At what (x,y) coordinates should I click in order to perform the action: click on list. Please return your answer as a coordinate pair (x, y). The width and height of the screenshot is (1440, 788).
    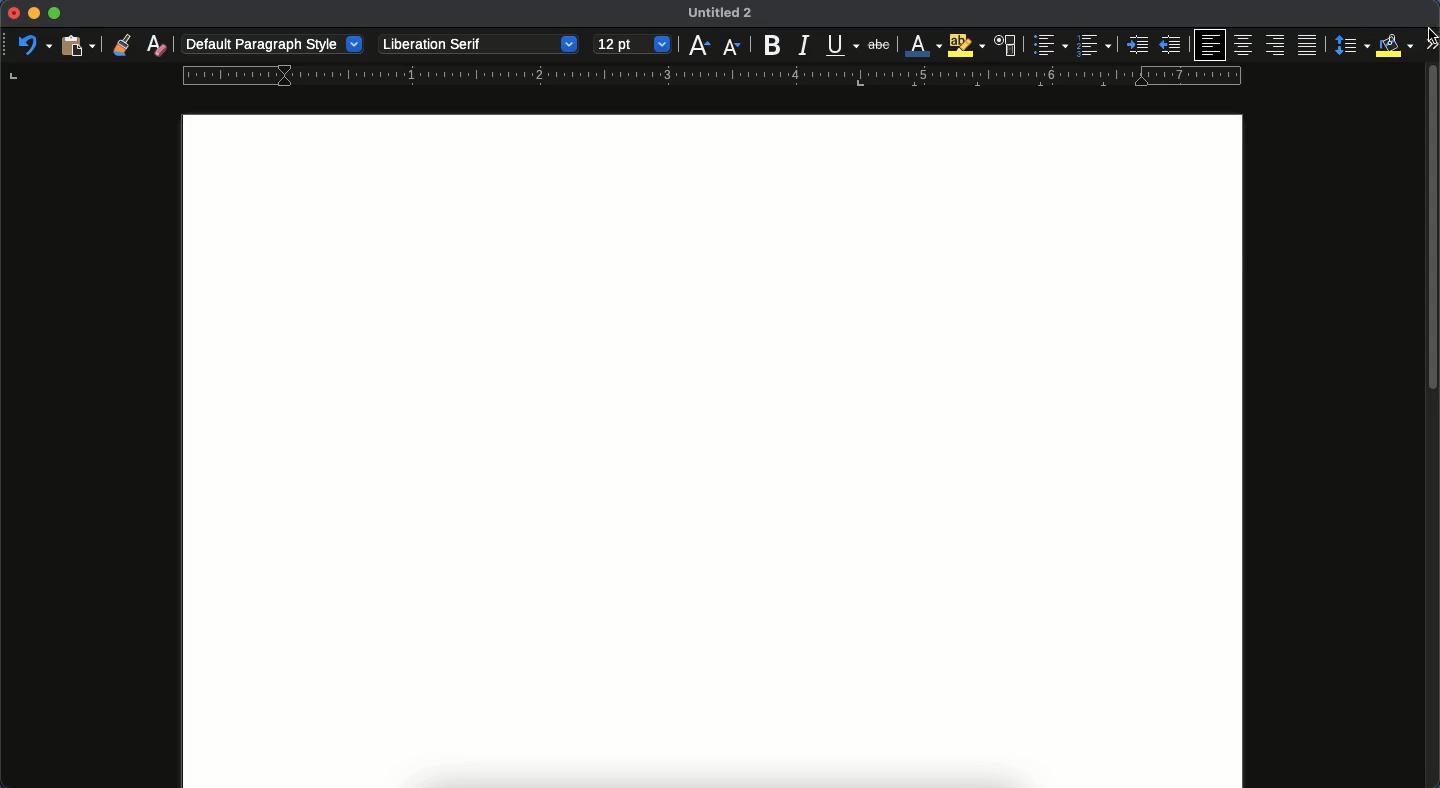
    Looking at the image, I should click on (1048, 45).